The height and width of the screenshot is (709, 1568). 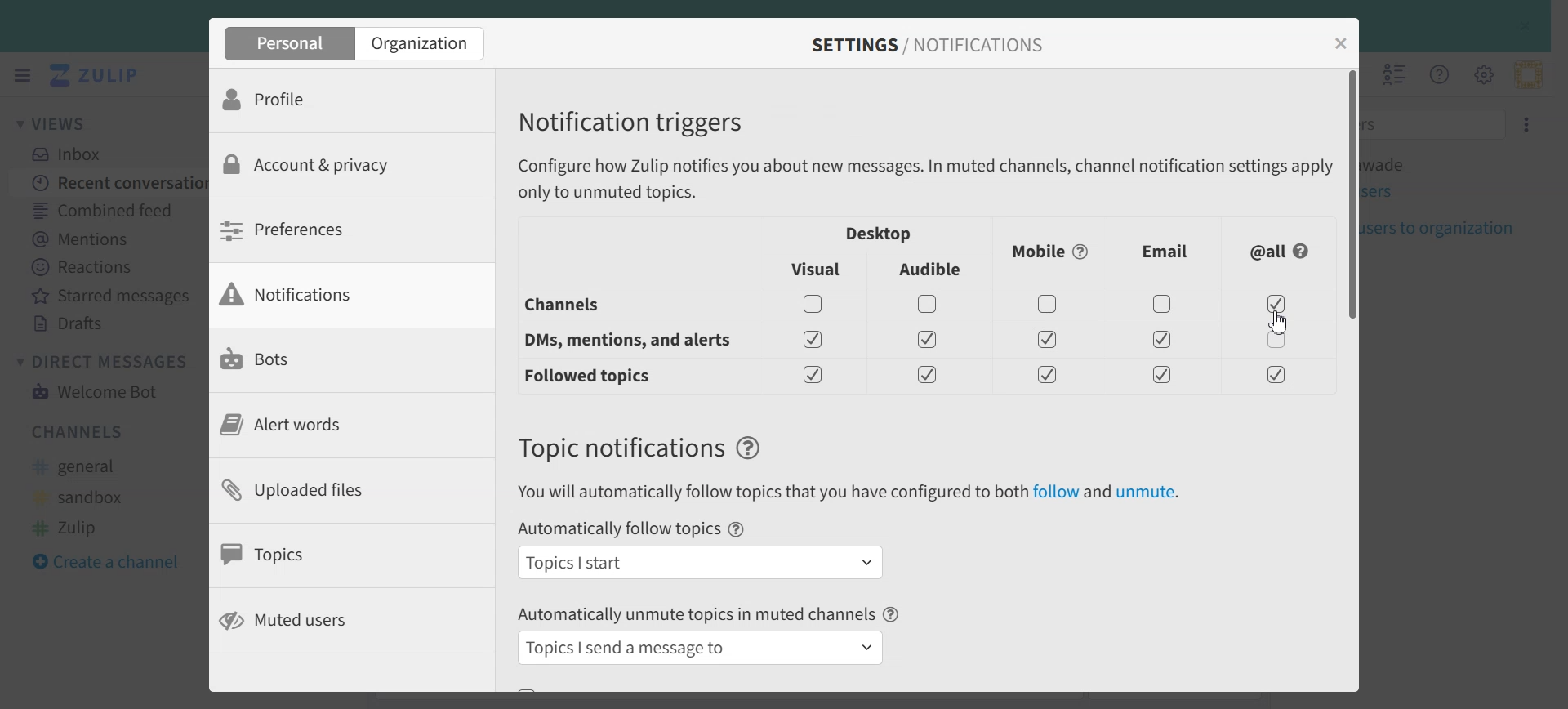 I want to click on Muted users, so click(x=325, y=621).